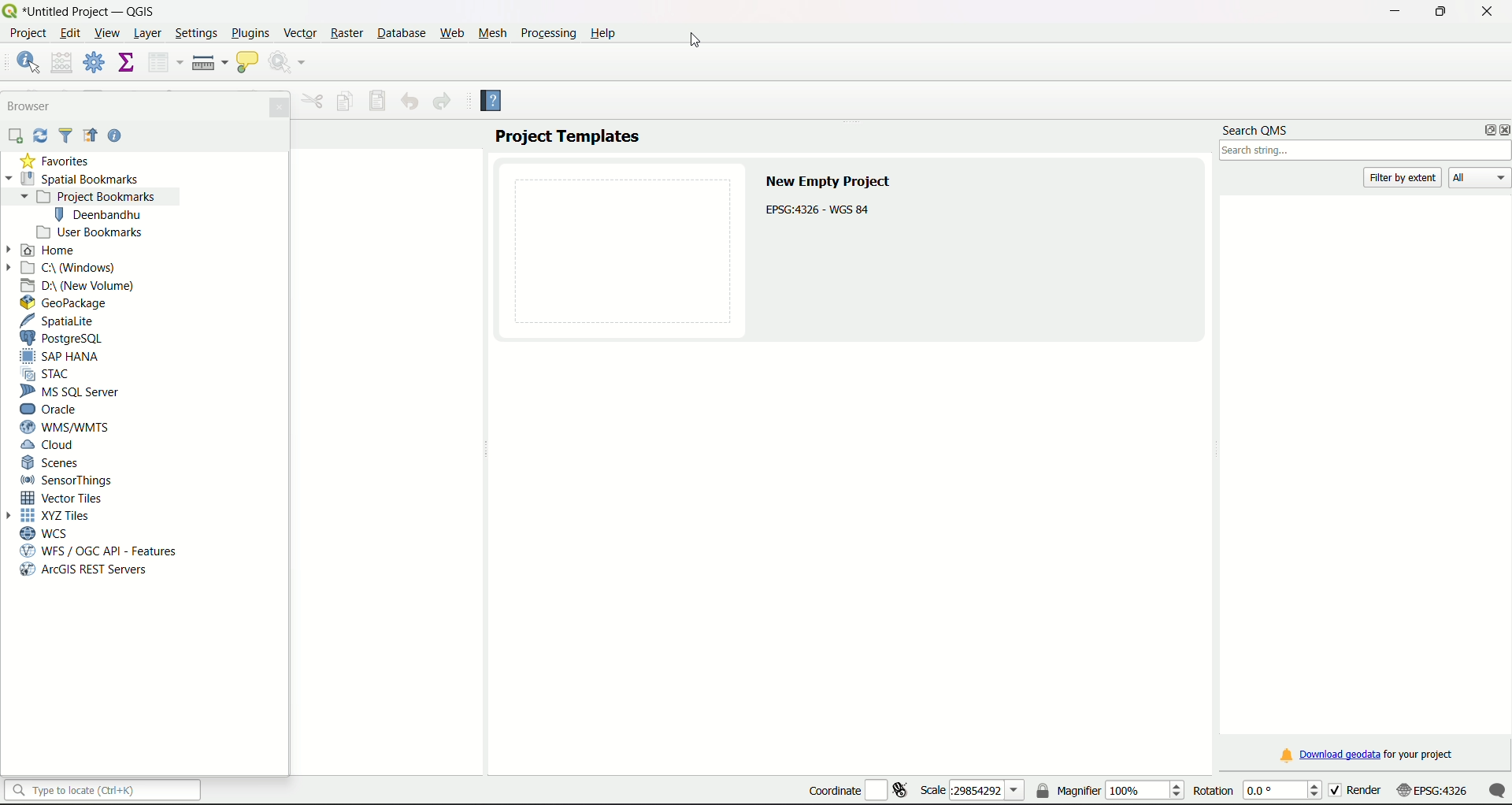 This screenshot has height=805, width=1512. Describe the element at coordinates (57, 408) in the screenshot. I see `Oracle` at that location.